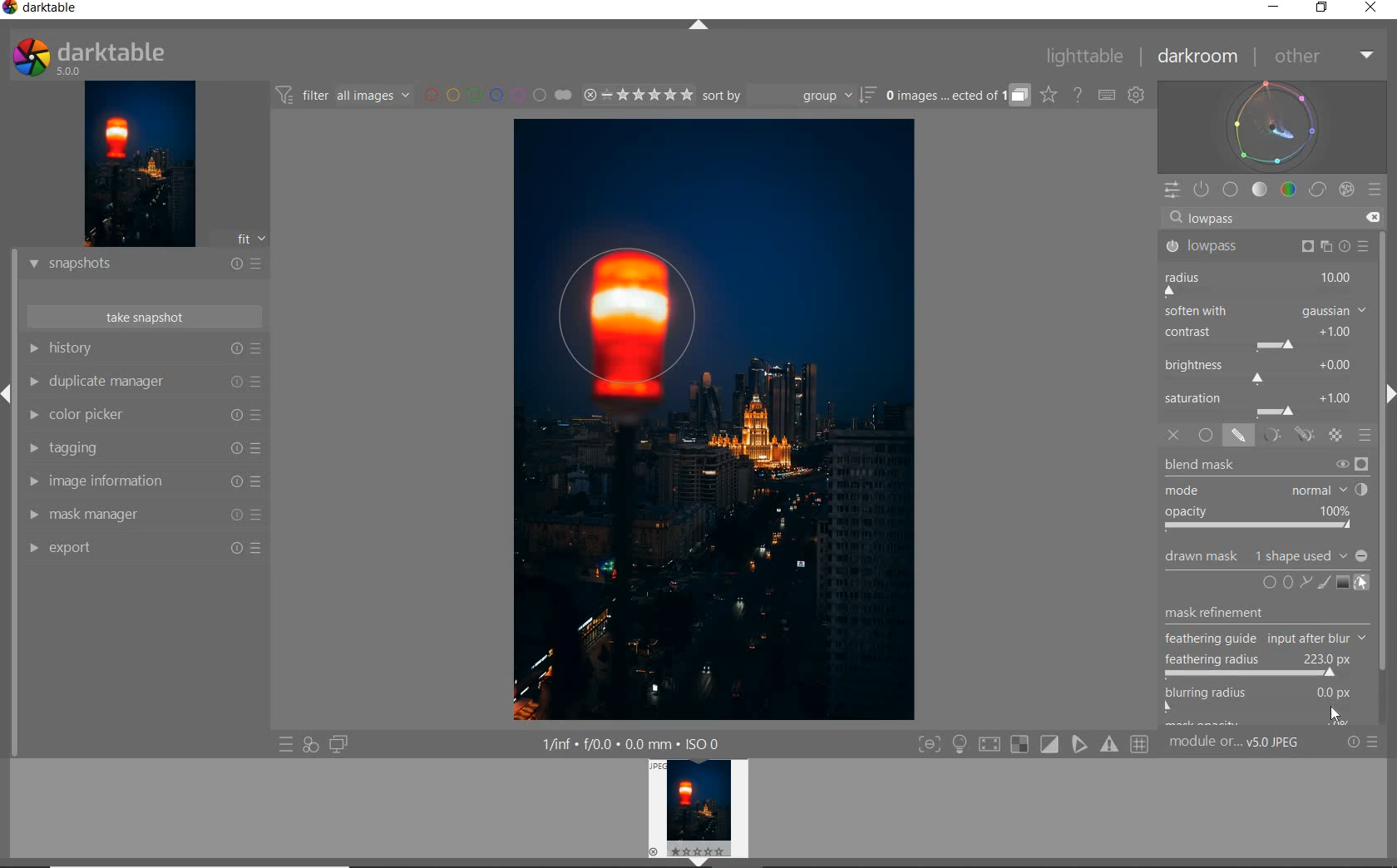  Describe the element at coordinates (1258, 693) in the screenshot. I see `blurring radius` at that location.